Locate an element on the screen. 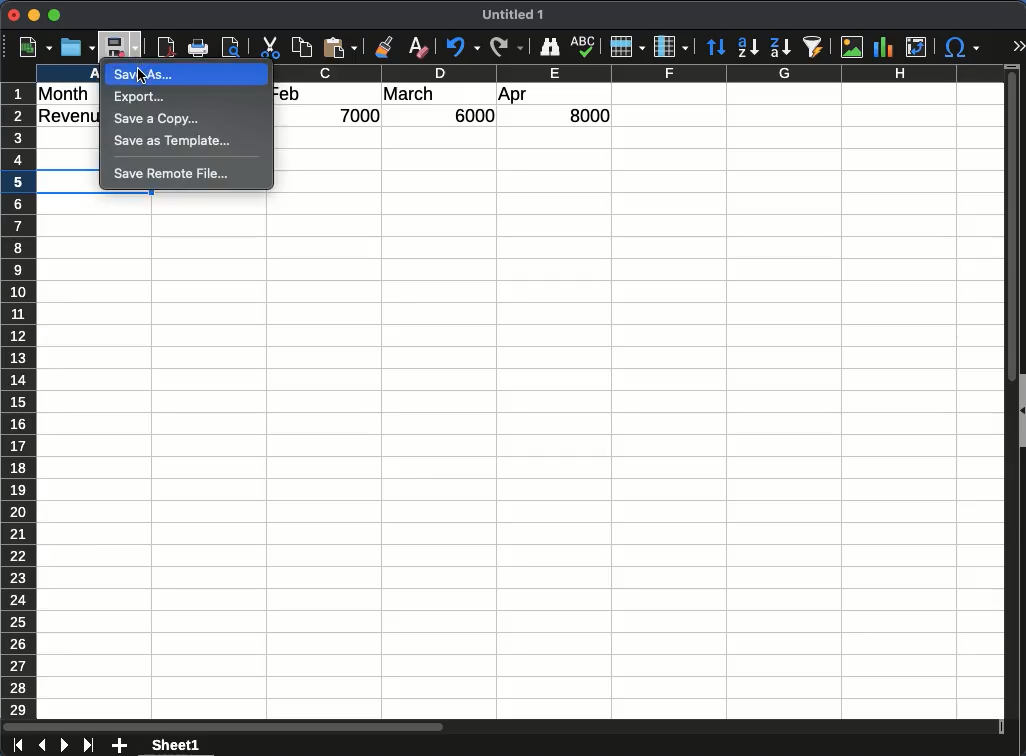  descending  is located at coordinates (779, 46).